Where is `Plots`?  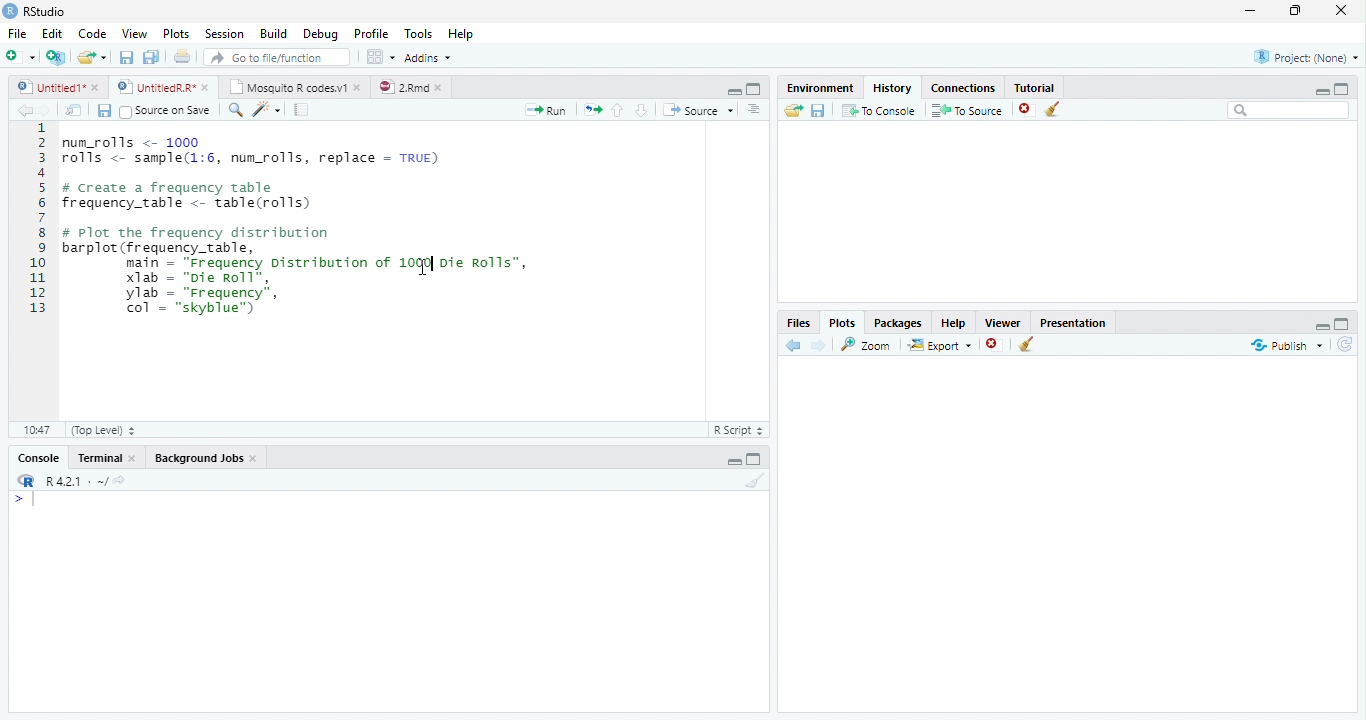
Plots is located at coordinates (843, 321).